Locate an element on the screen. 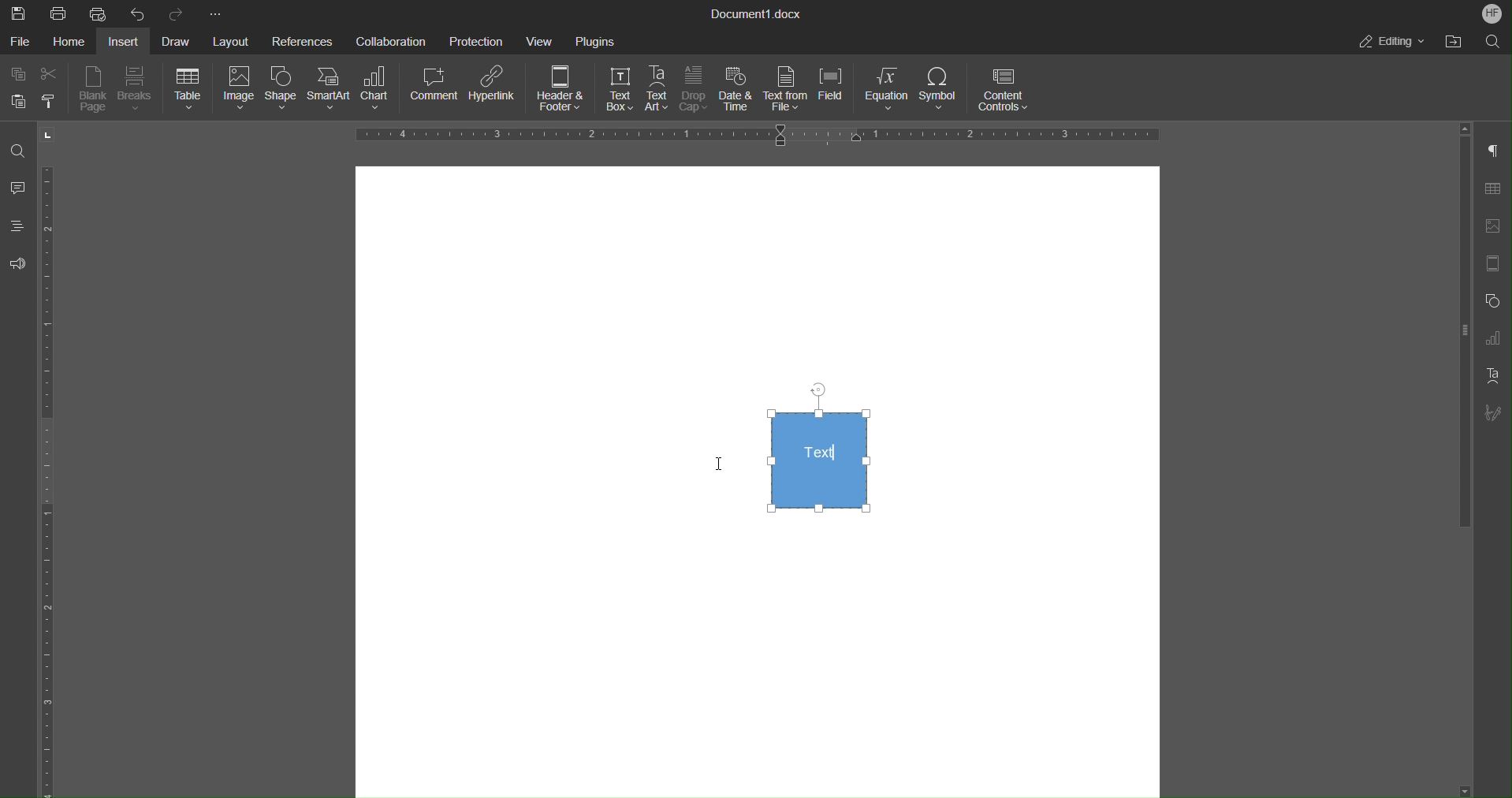 This screenshot has width=1512, height=798. Field is located at coordinates (836, 91).